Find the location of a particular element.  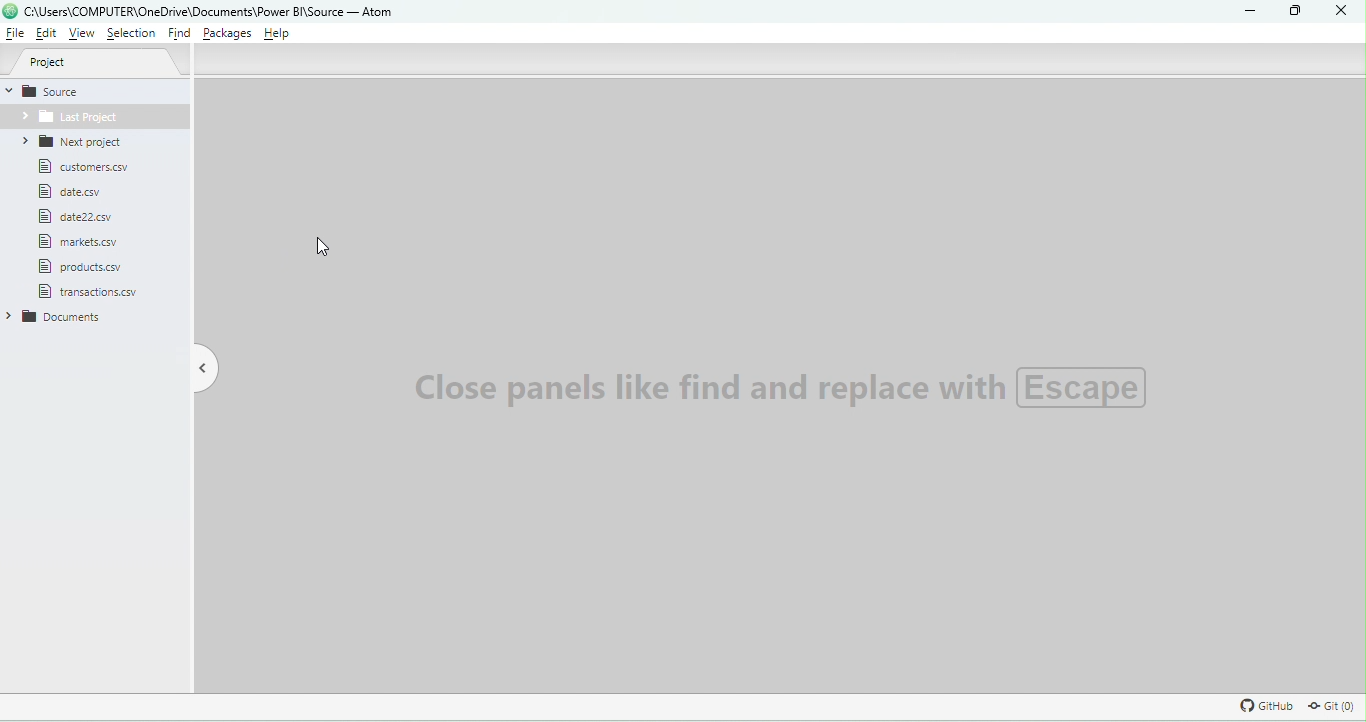

File is located at coordinates (95, 267).